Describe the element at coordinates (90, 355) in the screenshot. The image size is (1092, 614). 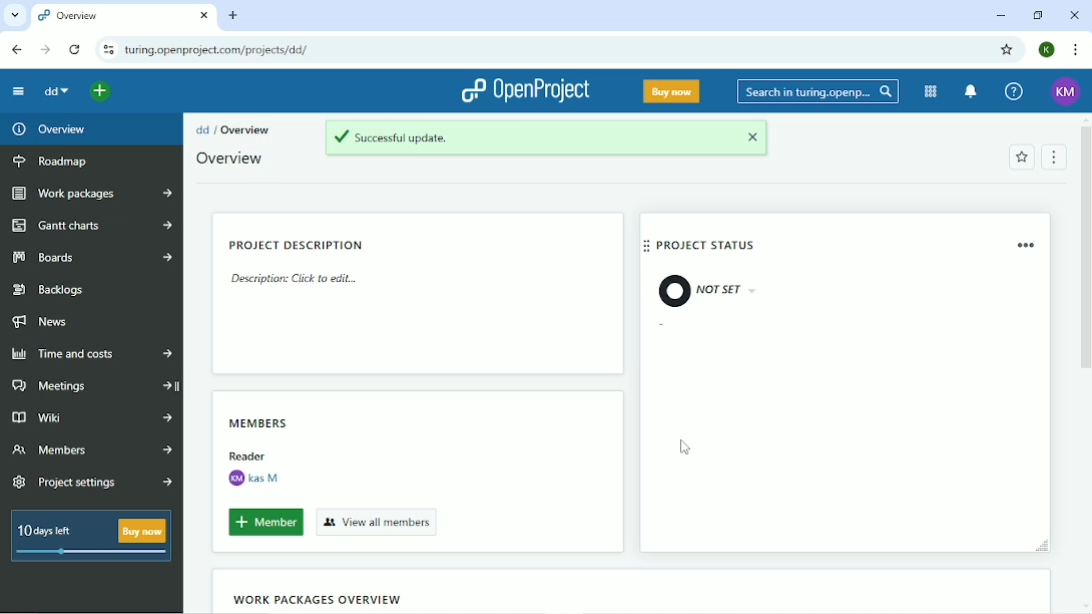
I see `Time and costs` at that location.